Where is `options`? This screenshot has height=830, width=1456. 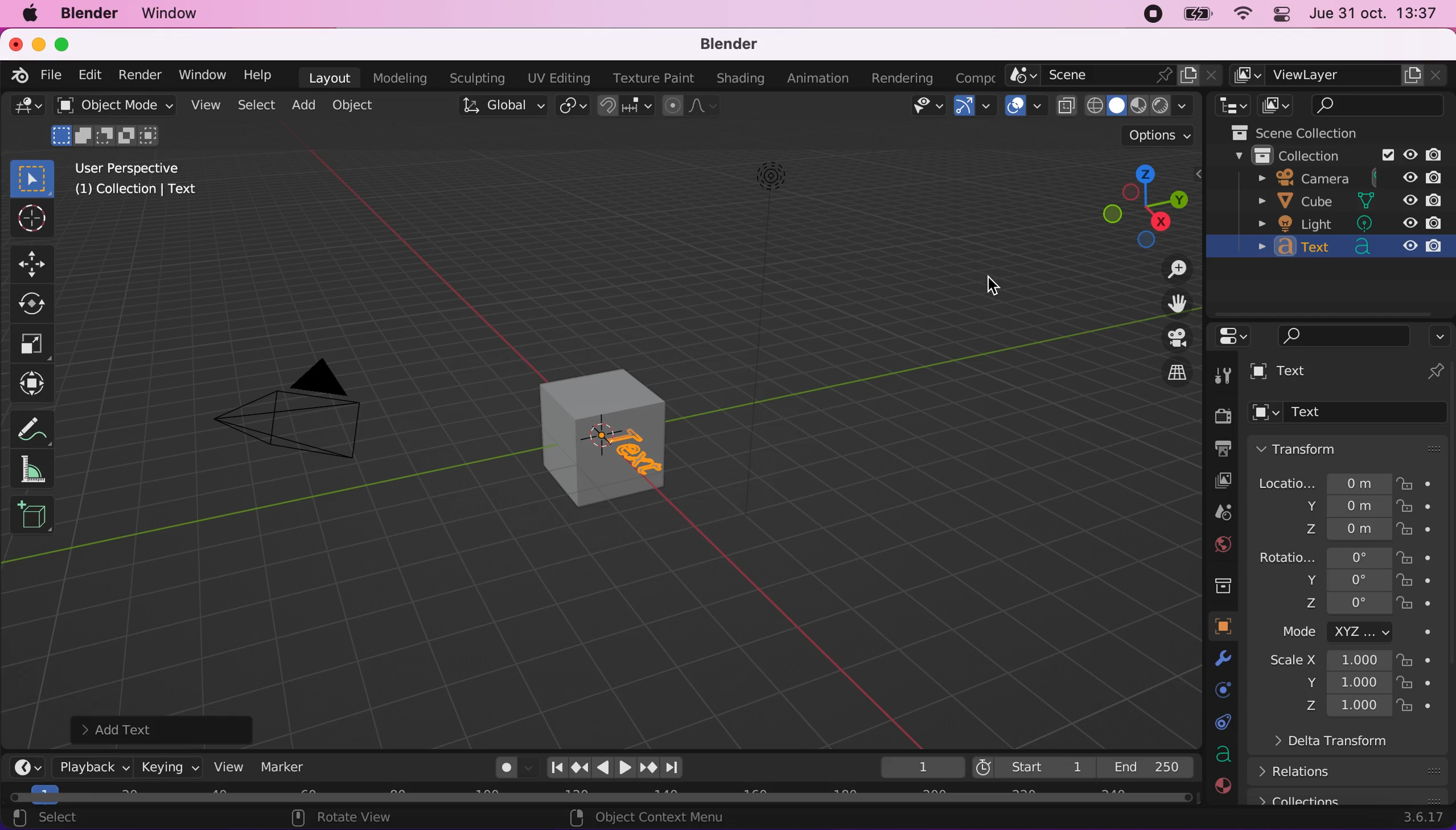 options is located at coordinates (1145, 136).